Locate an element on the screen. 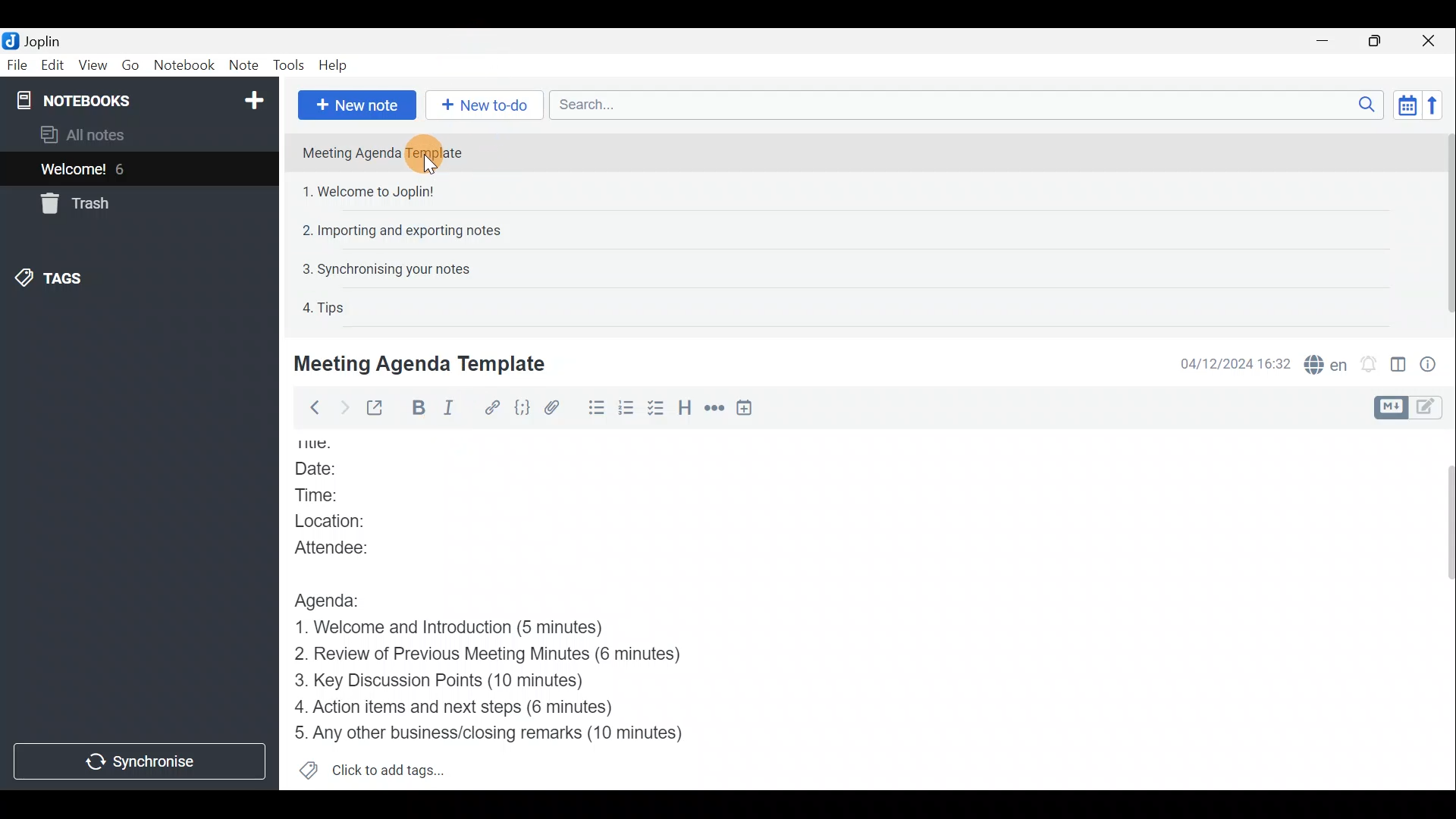  Note properties is located at coordinates (1433, 363).